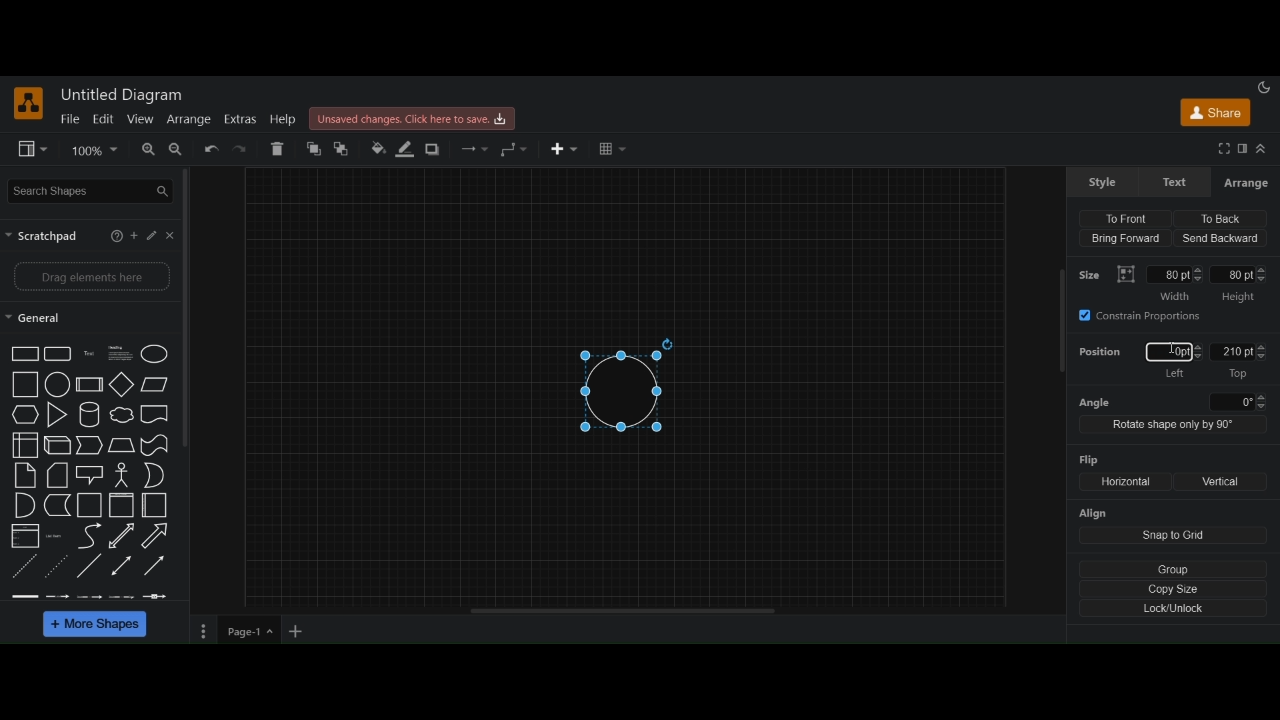 This screenshot has height=720, width=1280. Describe the element at coordinates (1125, 217) in the screenshot. I see `to front` at that location.